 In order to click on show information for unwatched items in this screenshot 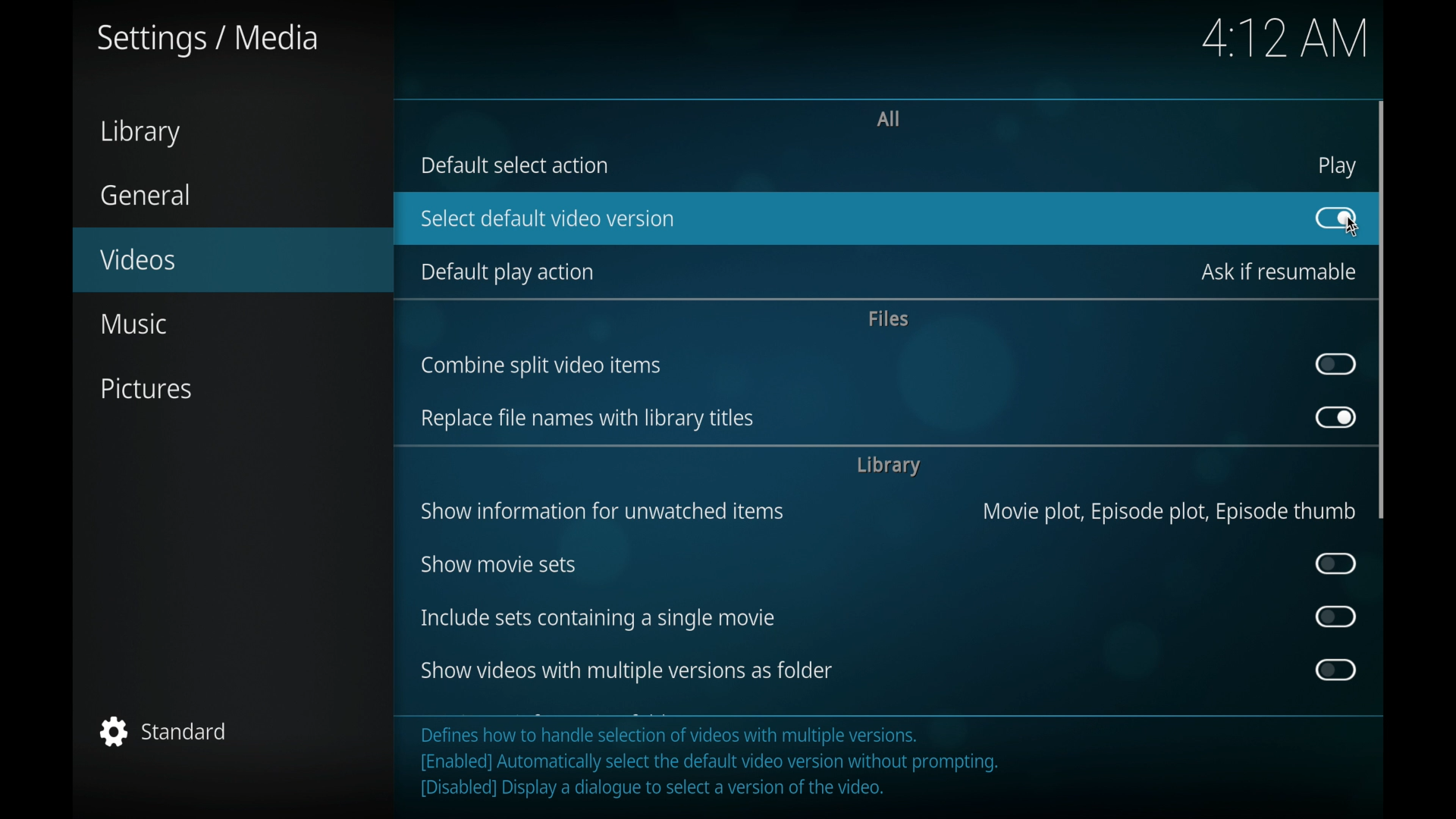, I will do `click(601, 511)`.